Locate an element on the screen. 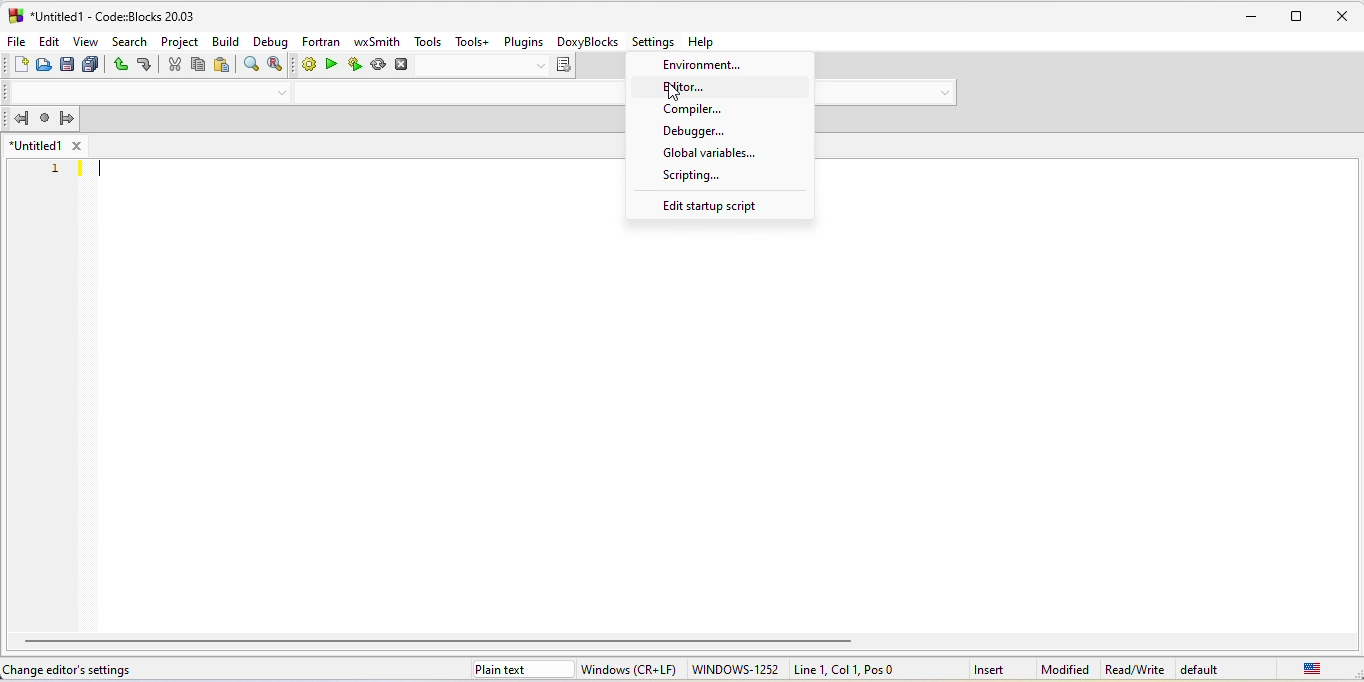  build is located at coordinates (226, 42).